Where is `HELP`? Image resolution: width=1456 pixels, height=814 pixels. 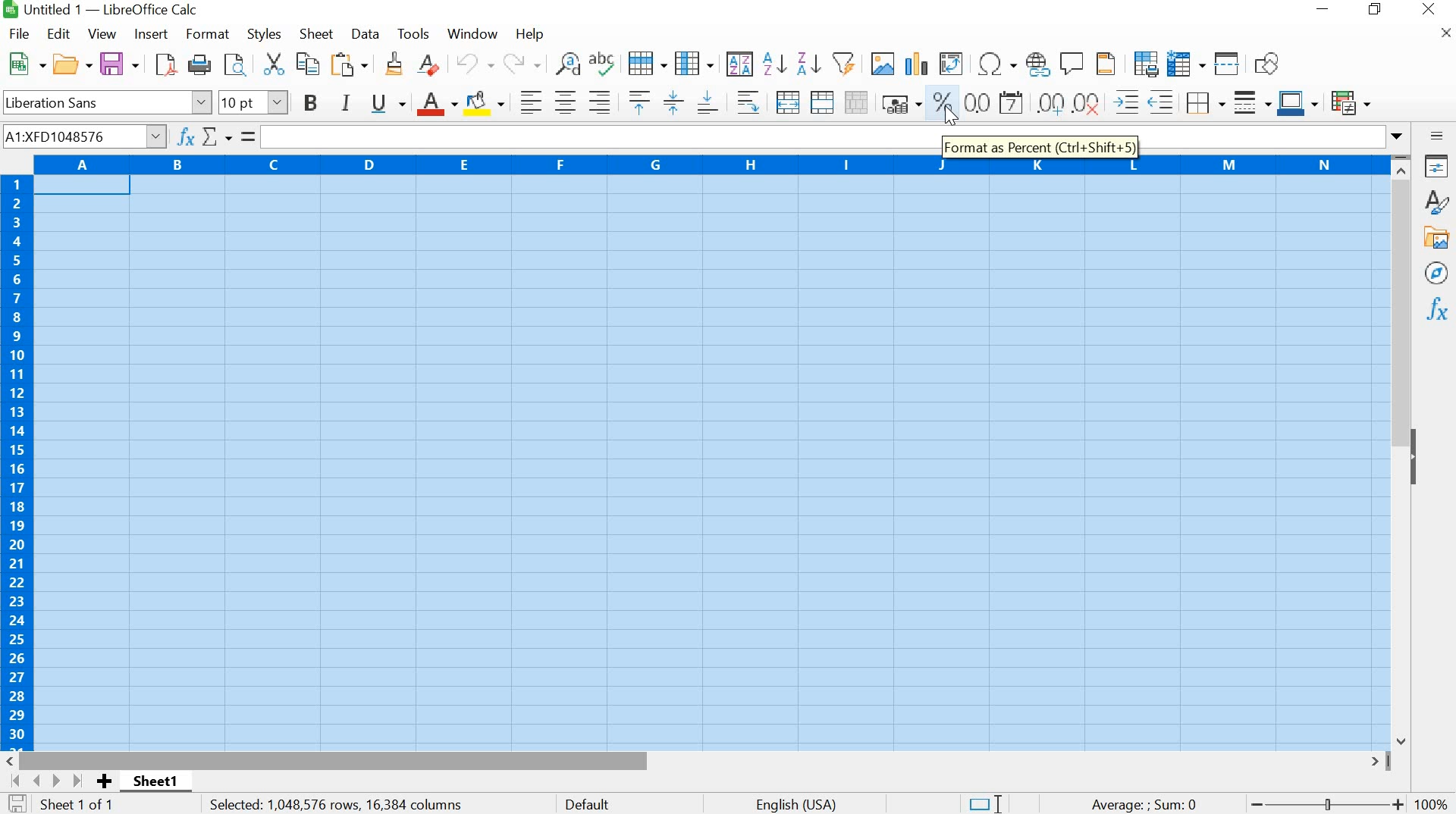 HELP is located at coordinates (531, 33).